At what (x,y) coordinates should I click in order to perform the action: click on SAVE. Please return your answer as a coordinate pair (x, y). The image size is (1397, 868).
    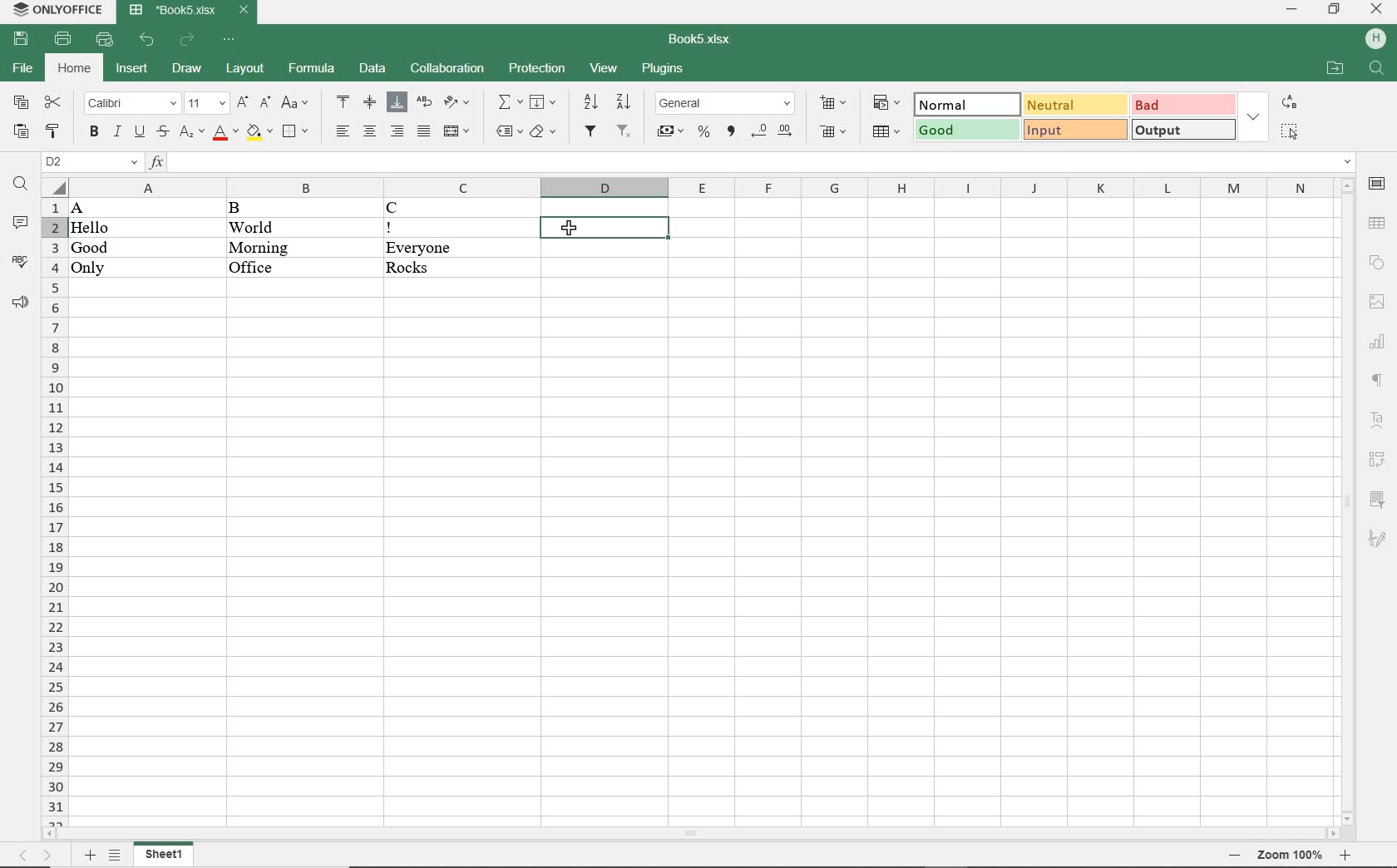
    Looking at the image, I should click on (23, 39).